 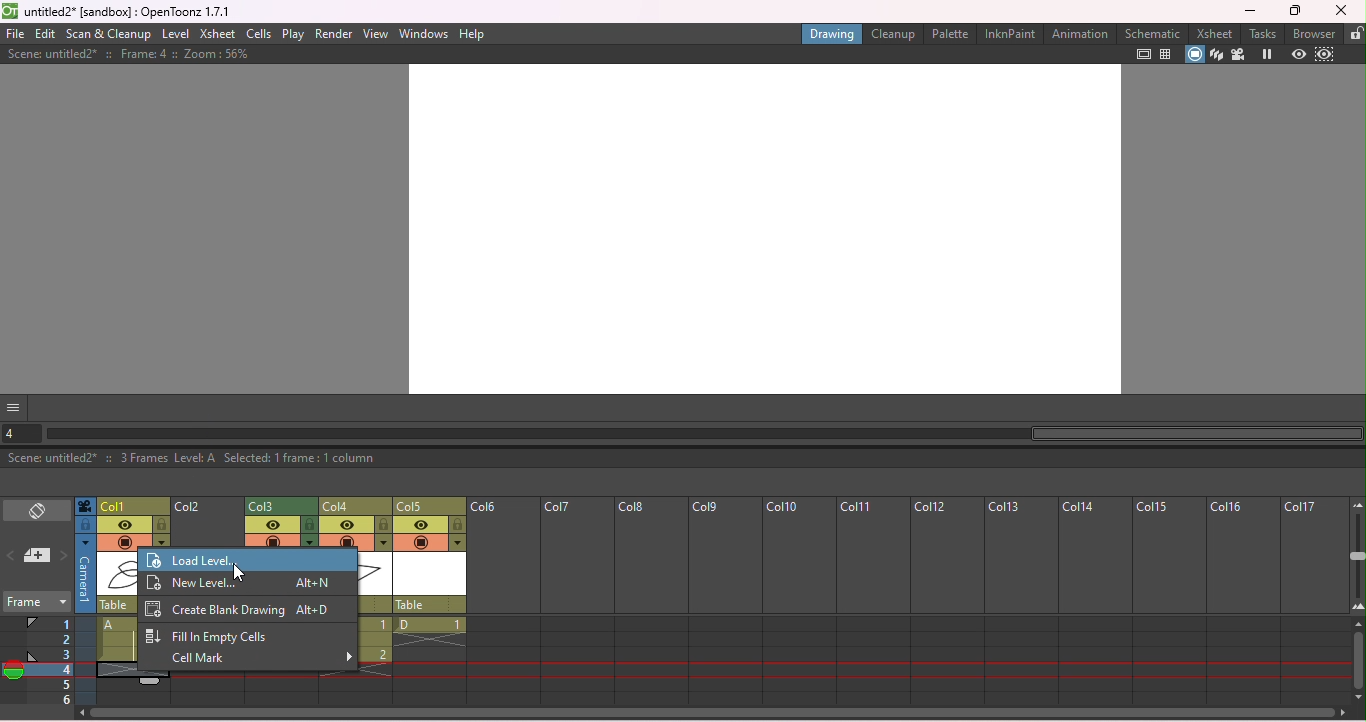 What do you see at coordinates (800, 601) in the screenshot?
I see `Column 10` at bounding box center [800, 601].